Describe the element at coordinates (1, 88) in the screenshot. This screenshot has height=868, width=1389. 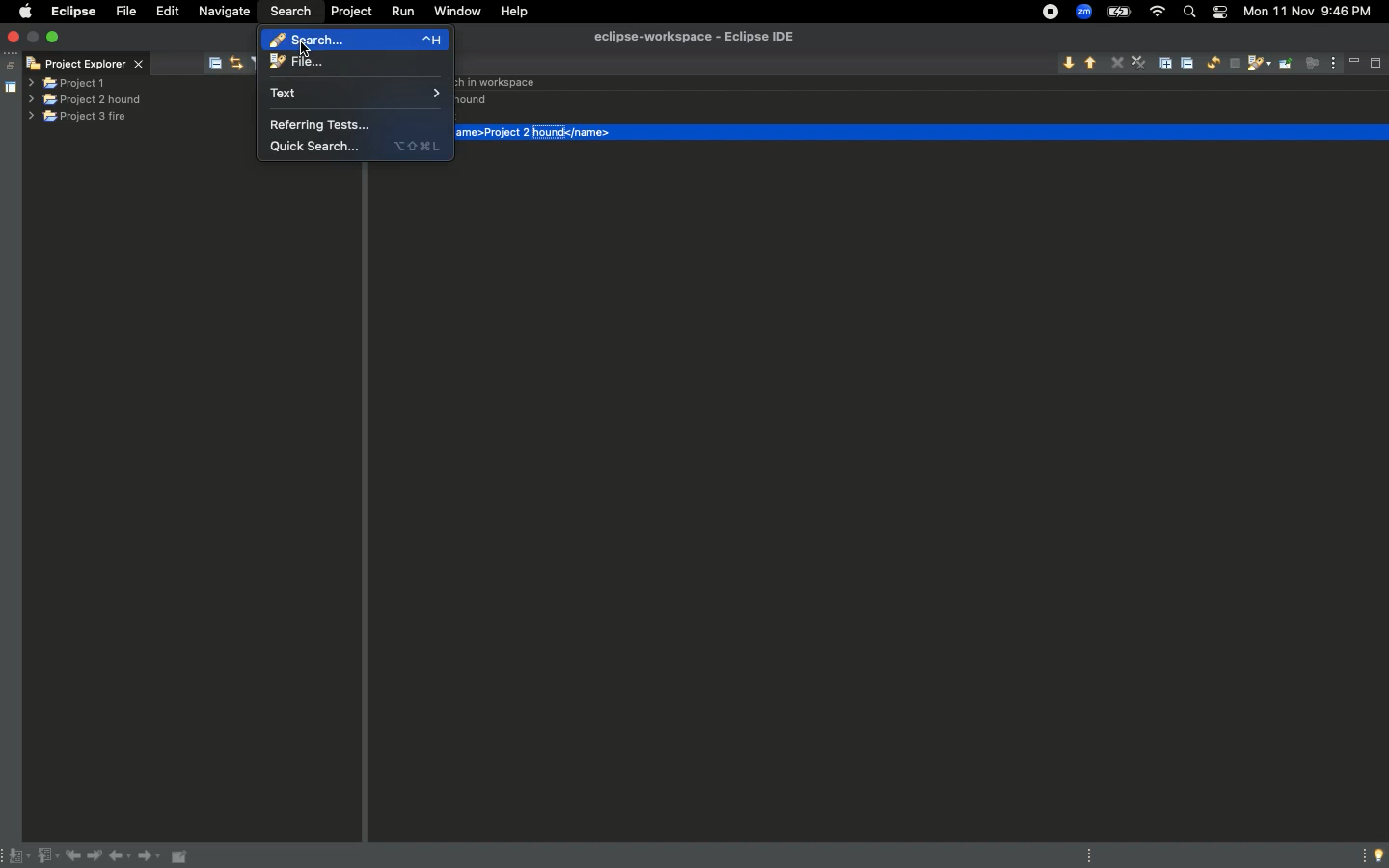
I see `shared area` at that location.